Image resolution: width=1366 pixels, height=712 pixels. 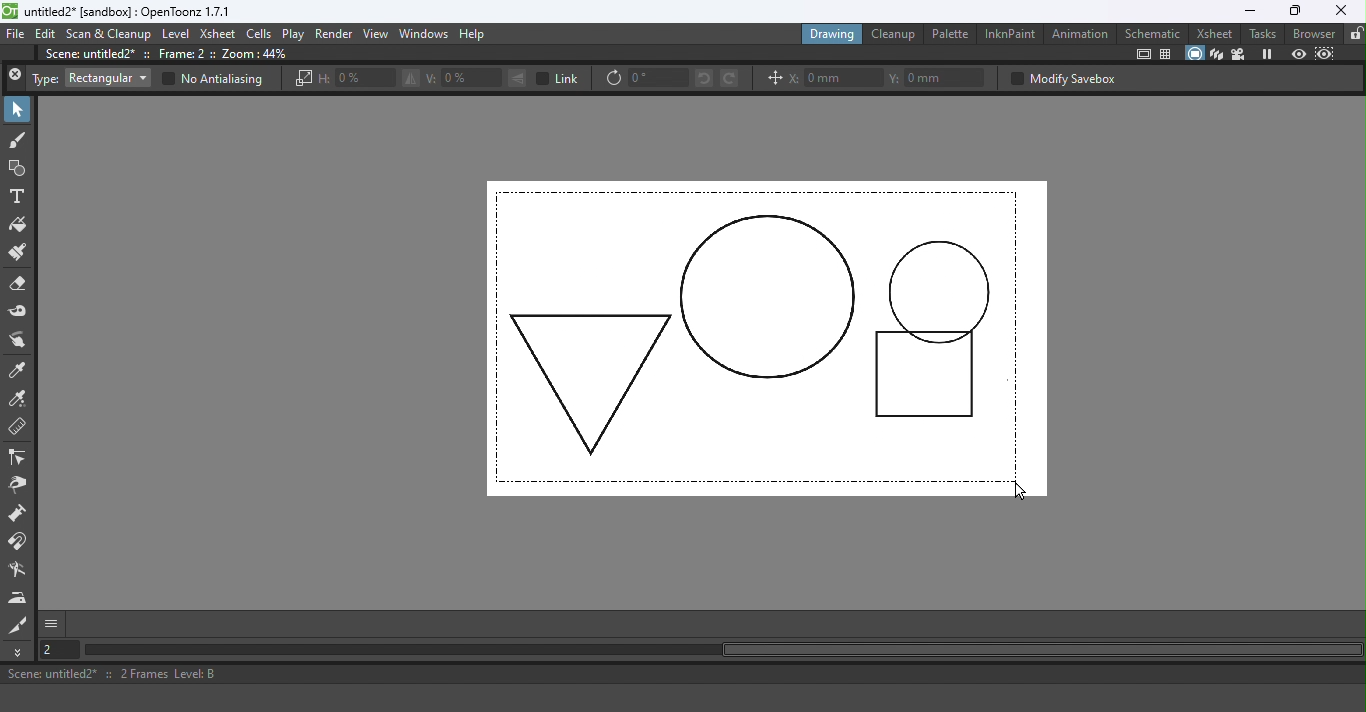 What do you see at coordinates (46, 35) in the screenshot?
I see `Edit` at bounding box center [46, 35].